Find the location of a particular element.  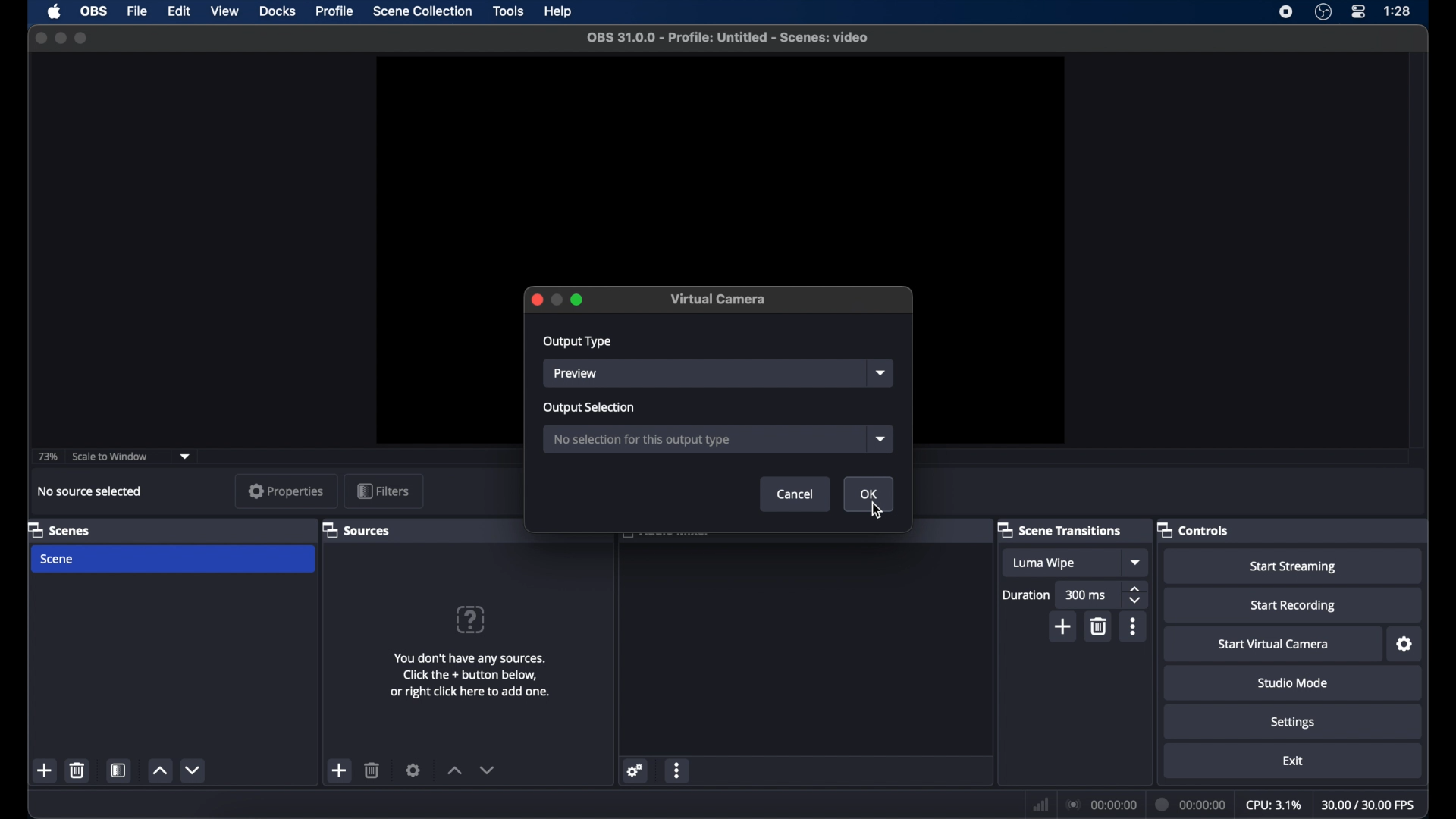

increment is located at coordinates (453, 771).